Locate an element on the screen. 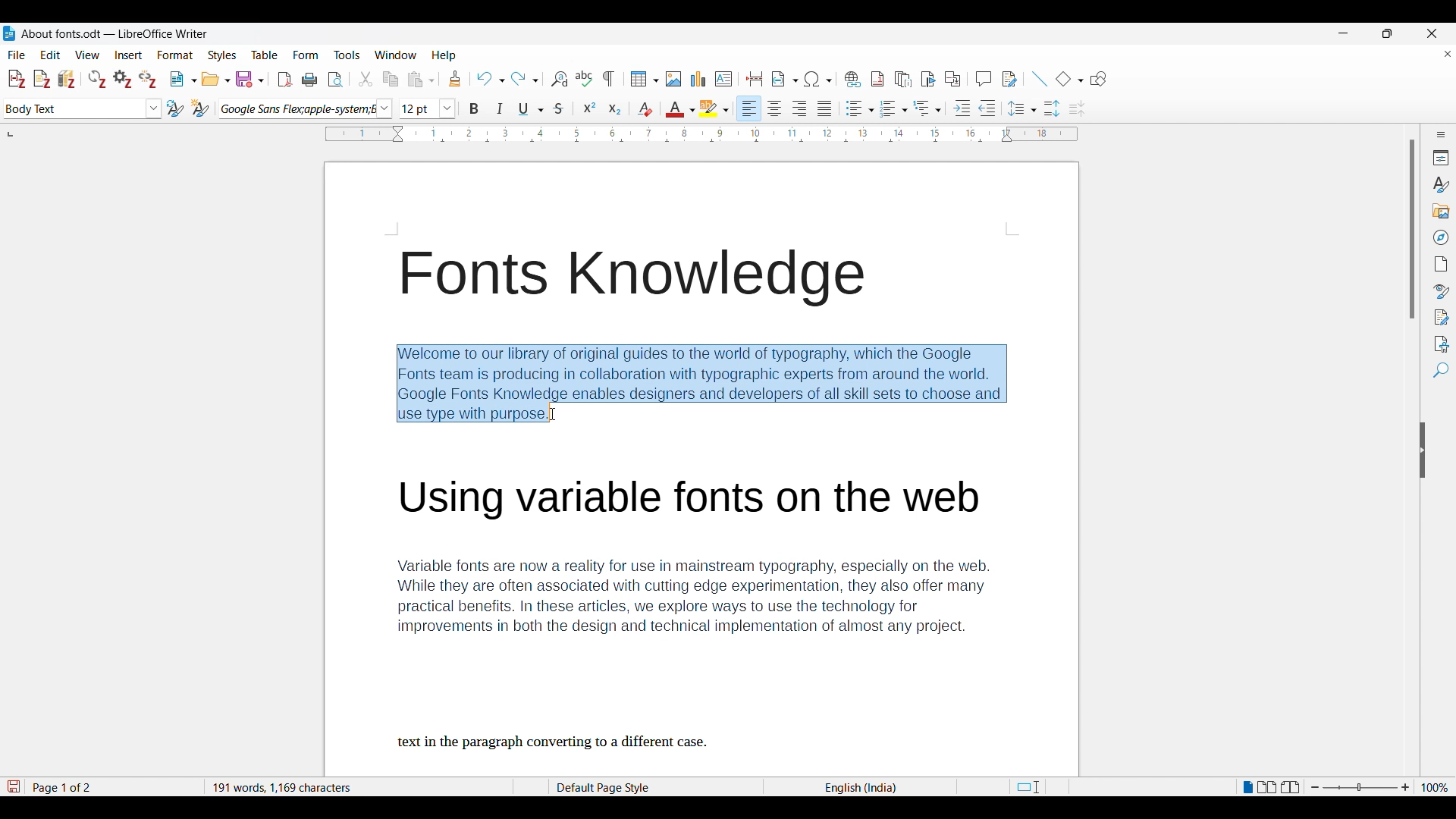 Image resolution: width=1456 pixels, height=819 pixels. Highlight color options is located at coordinates (714, 108).